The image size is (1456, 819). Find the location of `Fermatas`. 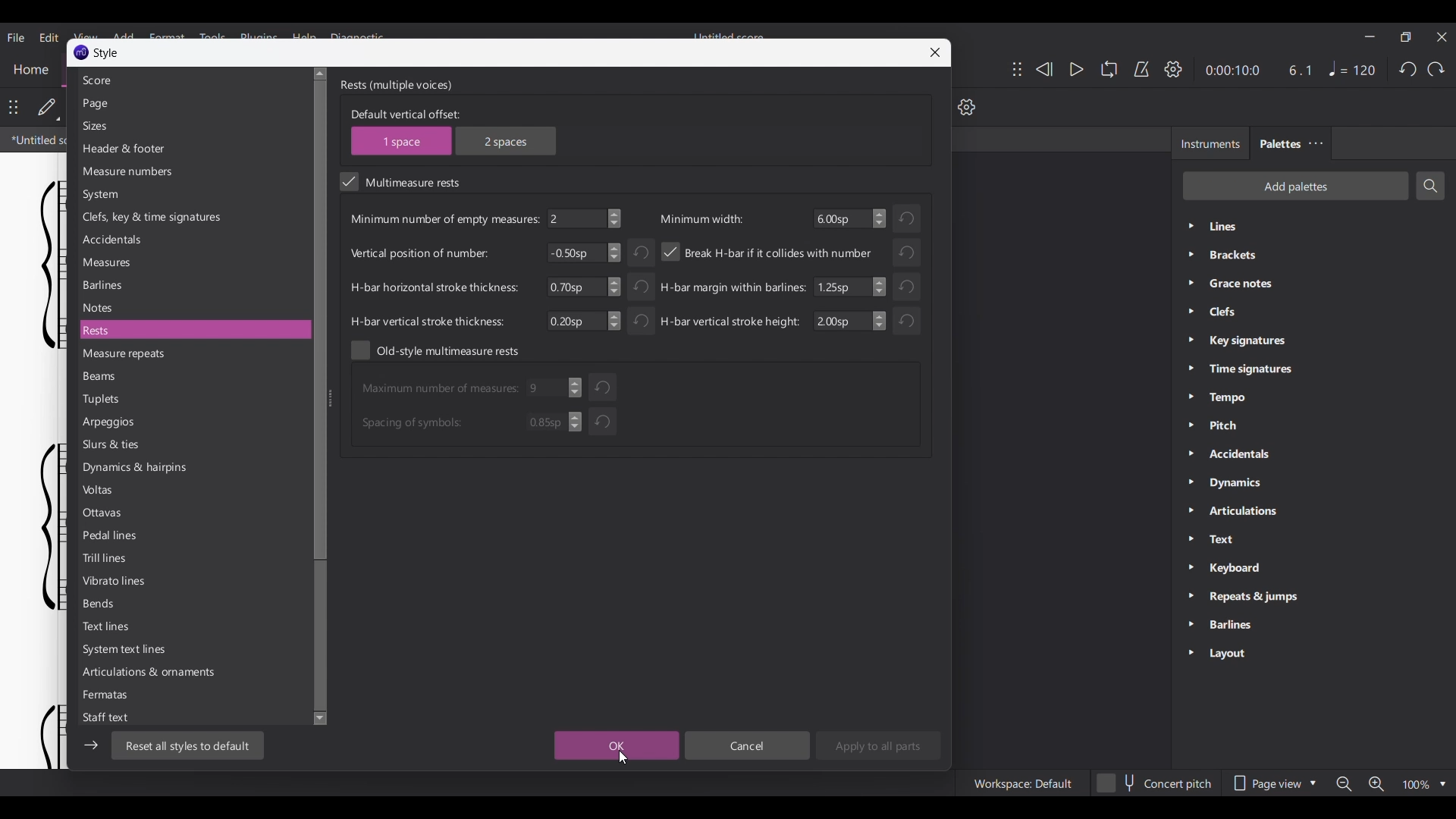

Fermatas is located at coordinates (192, 695).